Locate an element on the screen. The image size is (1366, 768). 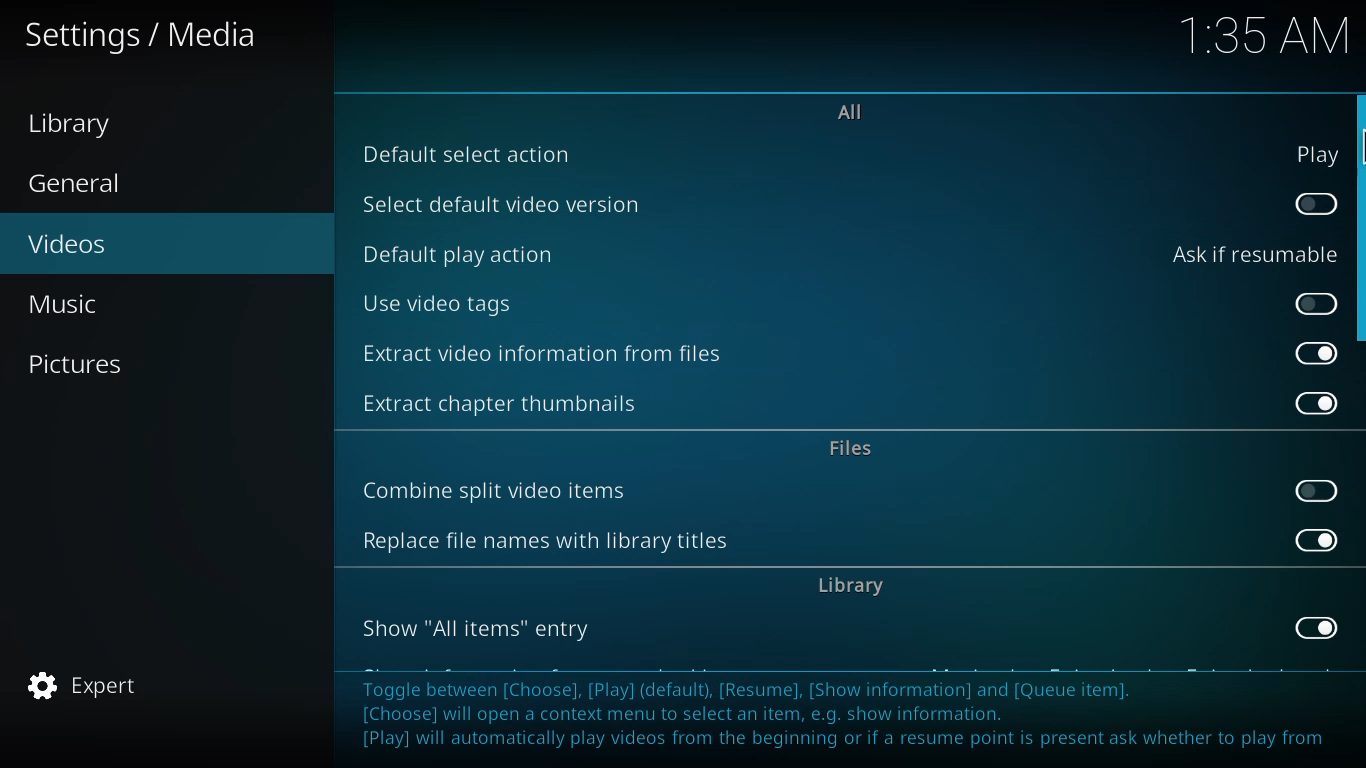
general is located at coordinates (79, 184).